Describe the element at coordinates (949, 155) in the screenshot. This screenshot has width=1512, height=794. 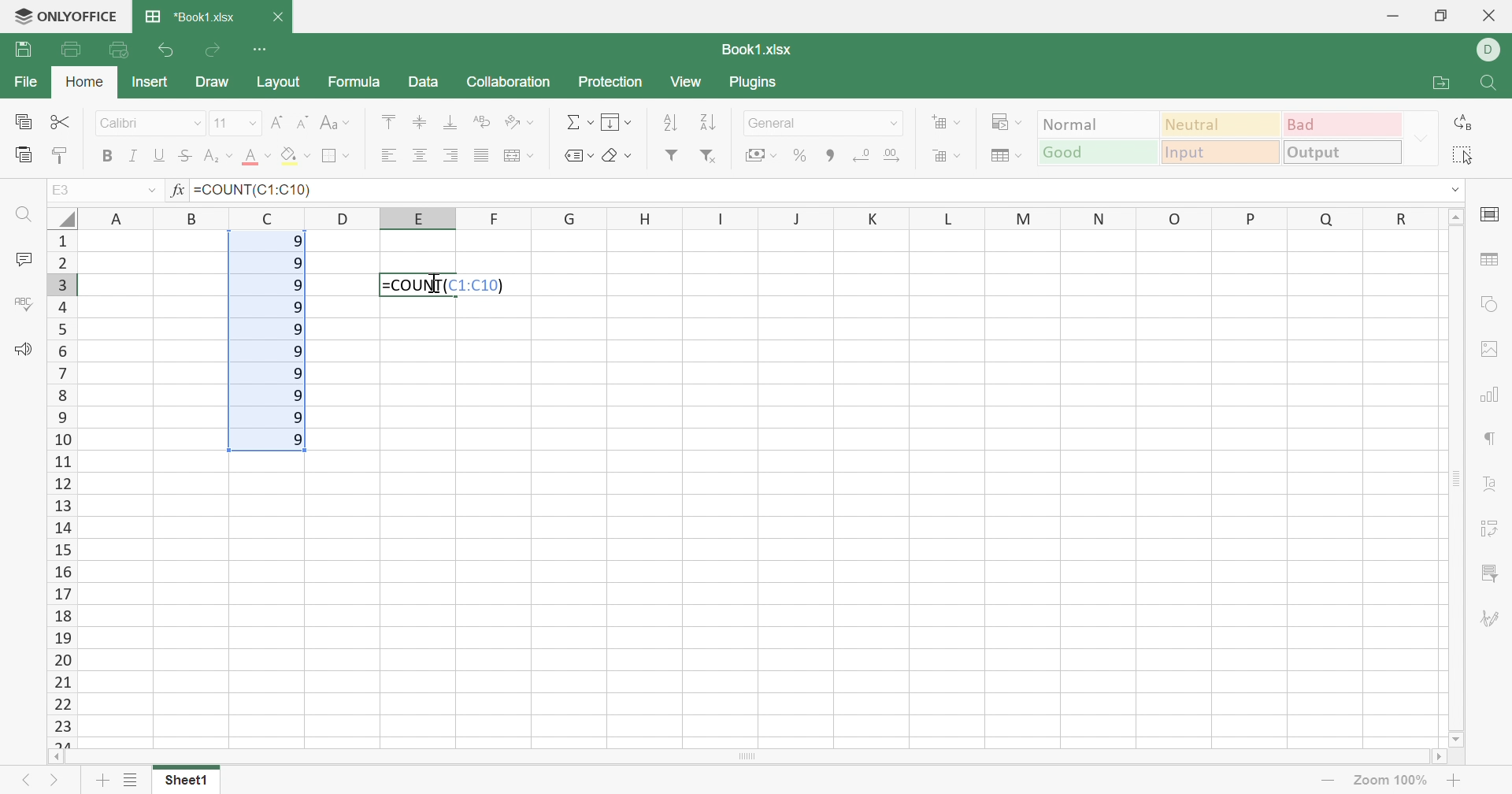
I see `Delete cells` at that location.